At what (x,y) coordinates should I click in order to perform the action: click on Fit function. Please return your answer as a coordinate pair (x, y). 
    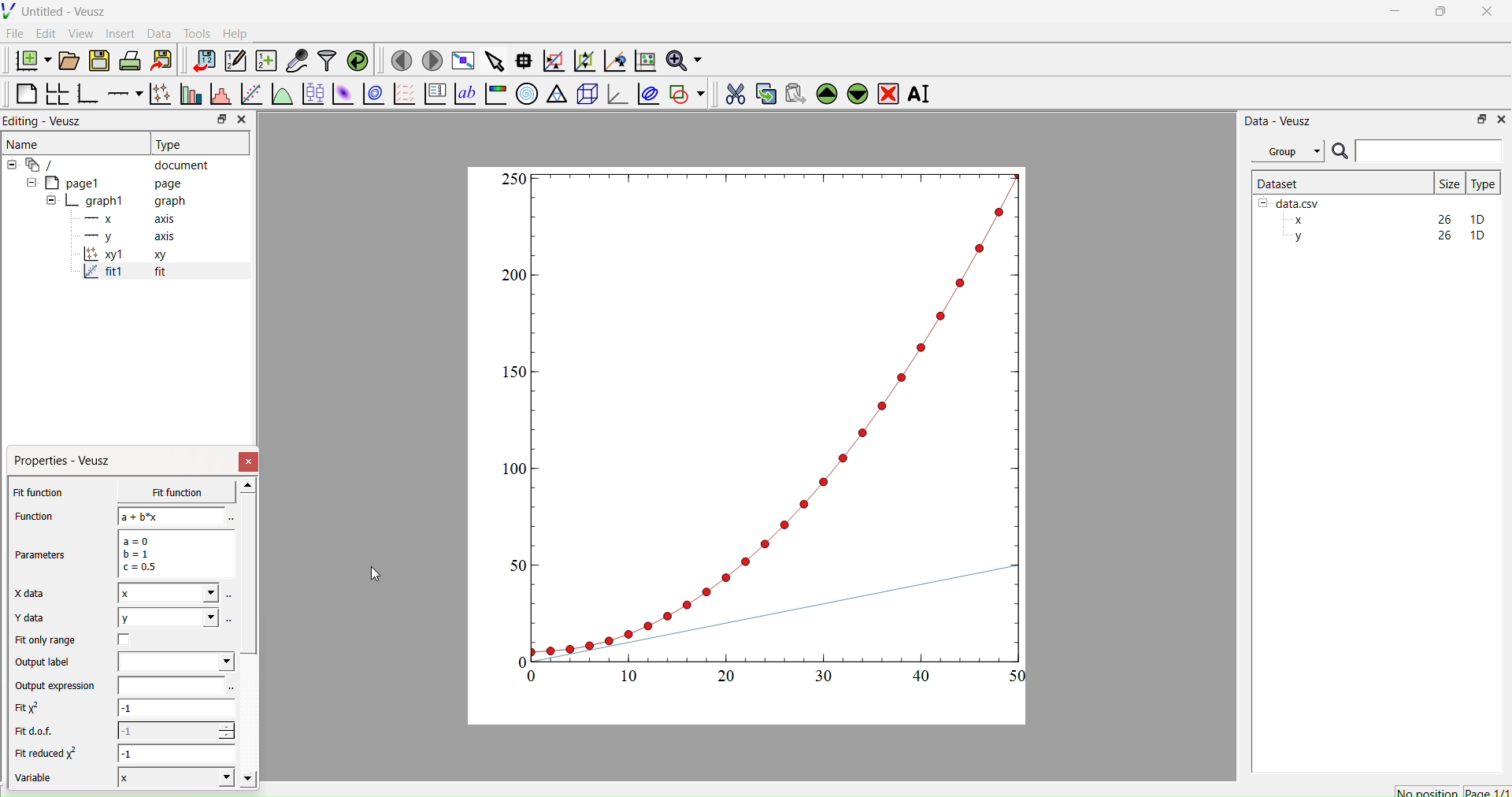
    Looking at the image, I should click on (40, 492).